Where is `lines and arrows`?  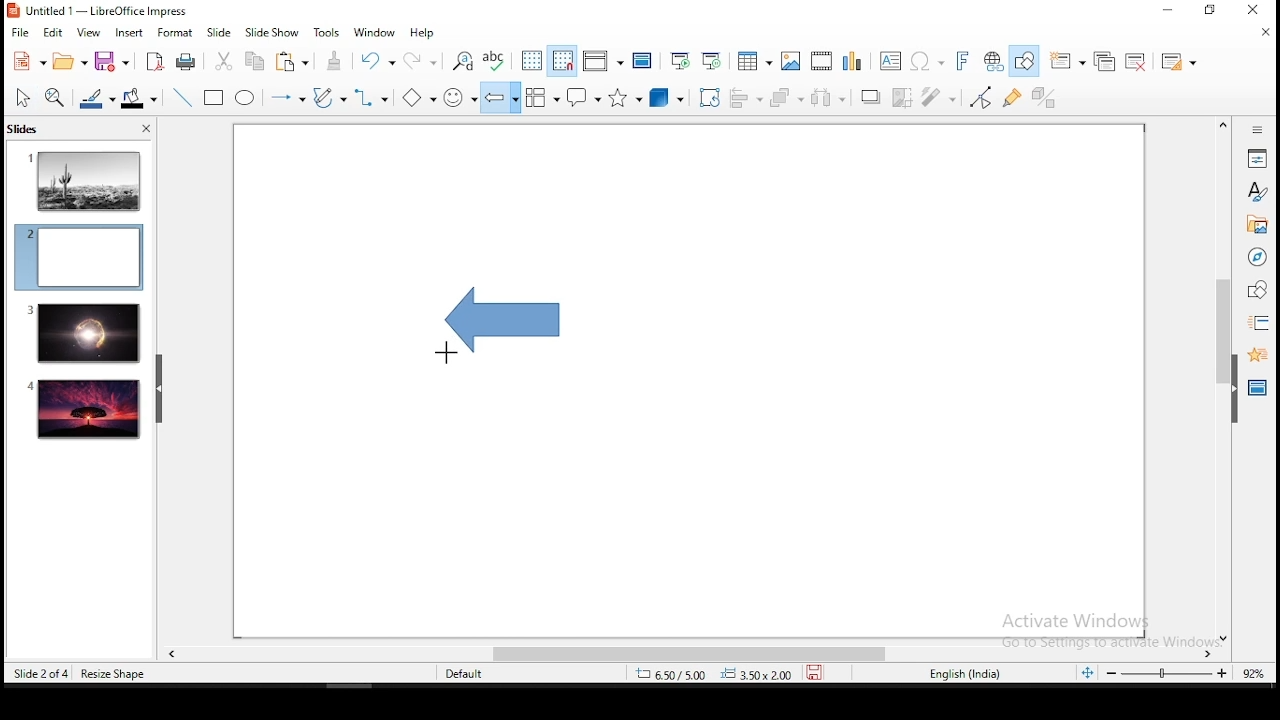
lines and arrows is located at coordinates (287, 98).